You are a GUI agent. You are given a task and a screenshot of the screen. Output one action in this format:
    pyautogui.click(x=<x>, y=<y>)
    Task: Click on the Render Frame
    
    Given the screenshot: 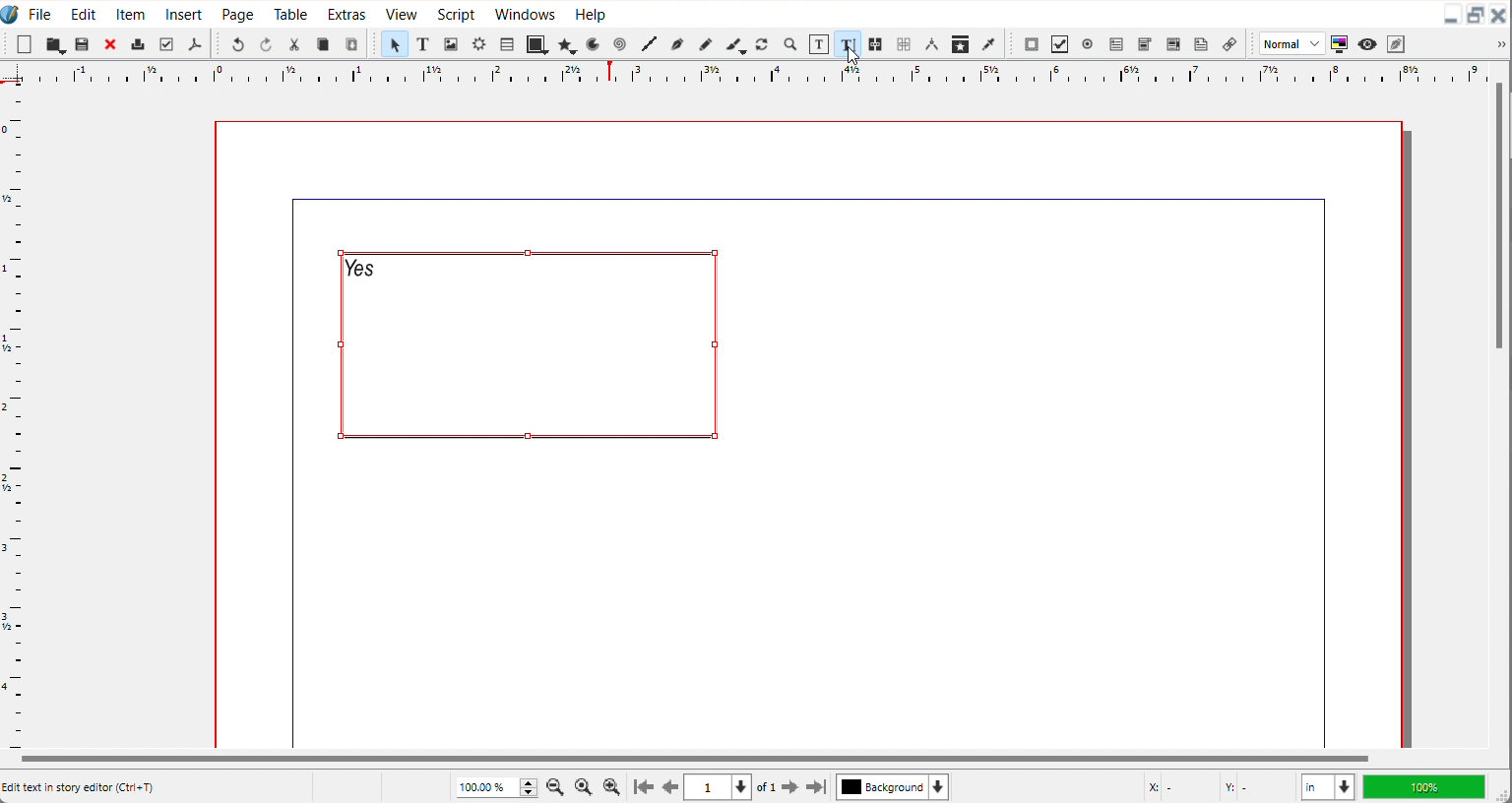 What is the action you would take?
    pyautogui.click(x=478, y=43)
    